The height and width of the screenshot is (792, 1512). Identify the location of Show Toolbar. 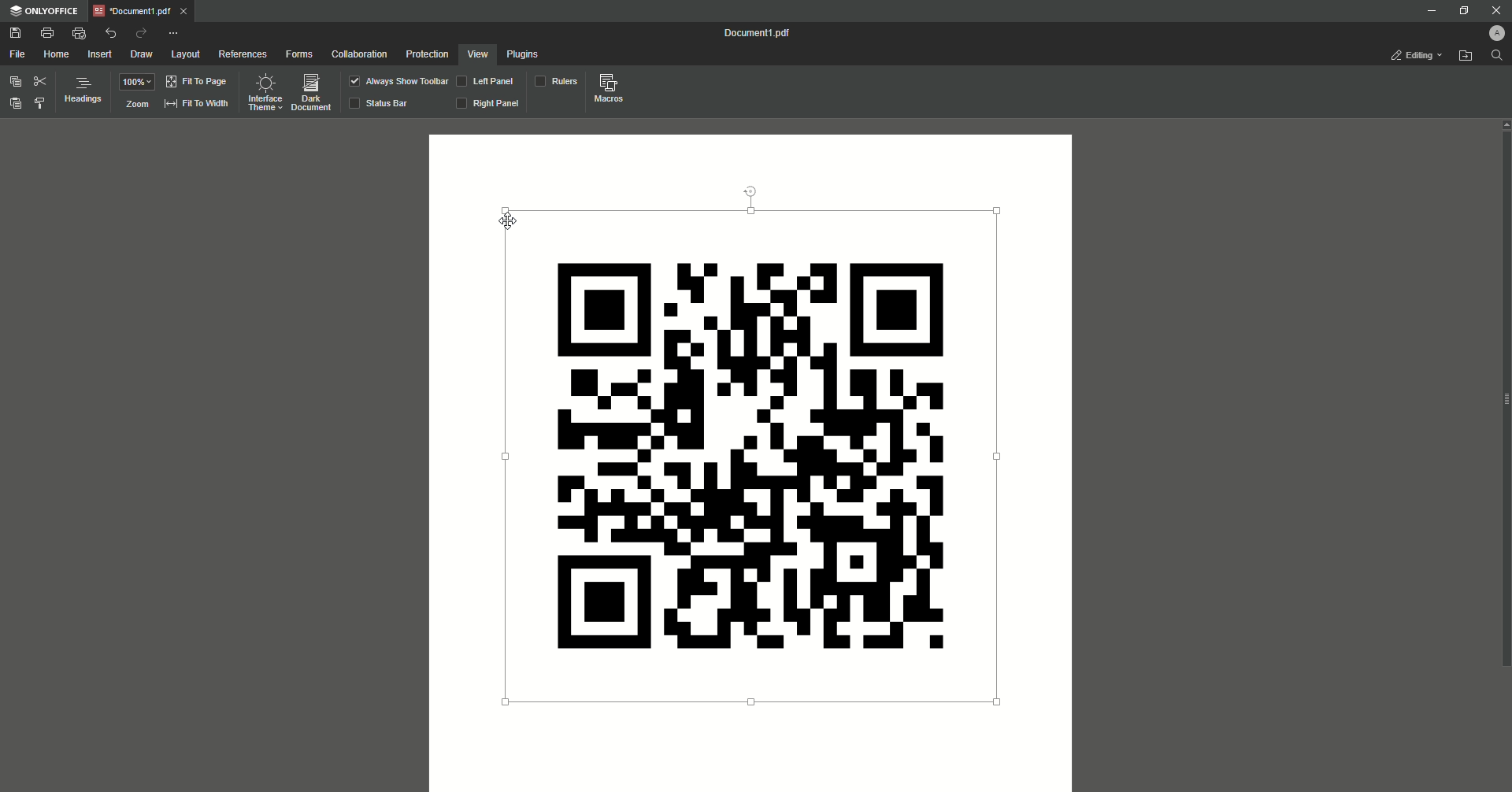
(398, 80).